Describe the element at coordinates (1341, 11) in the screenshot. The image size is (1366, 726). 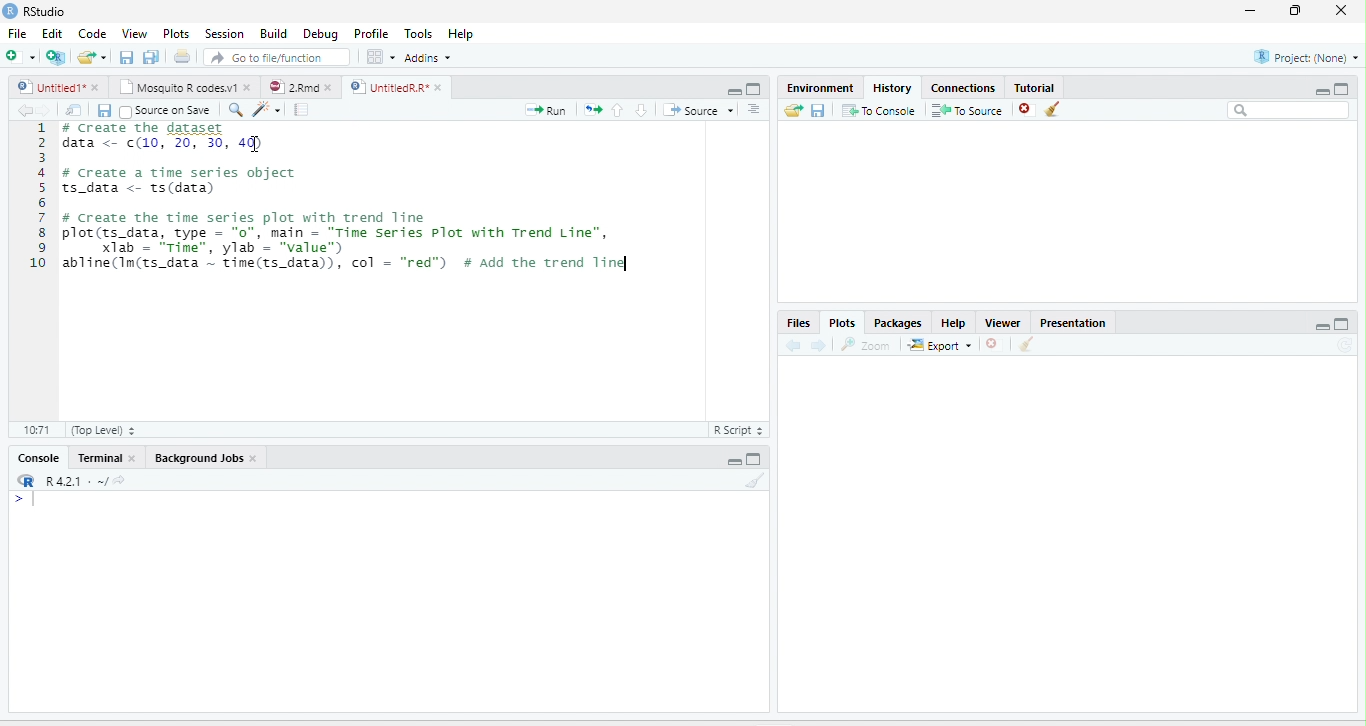
I see `close` at that location.